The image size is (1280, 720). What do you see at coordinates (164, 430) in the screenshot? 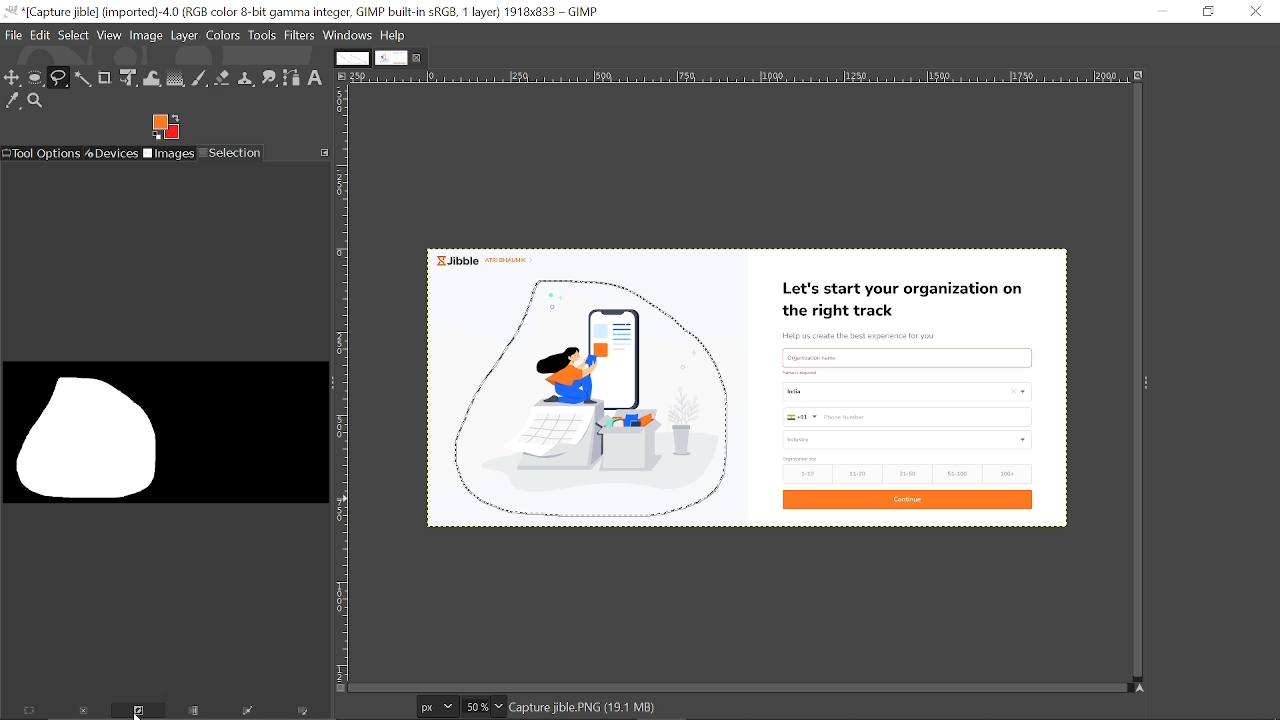
I see `Impression of the selected region` at bounding box center [164, 430].